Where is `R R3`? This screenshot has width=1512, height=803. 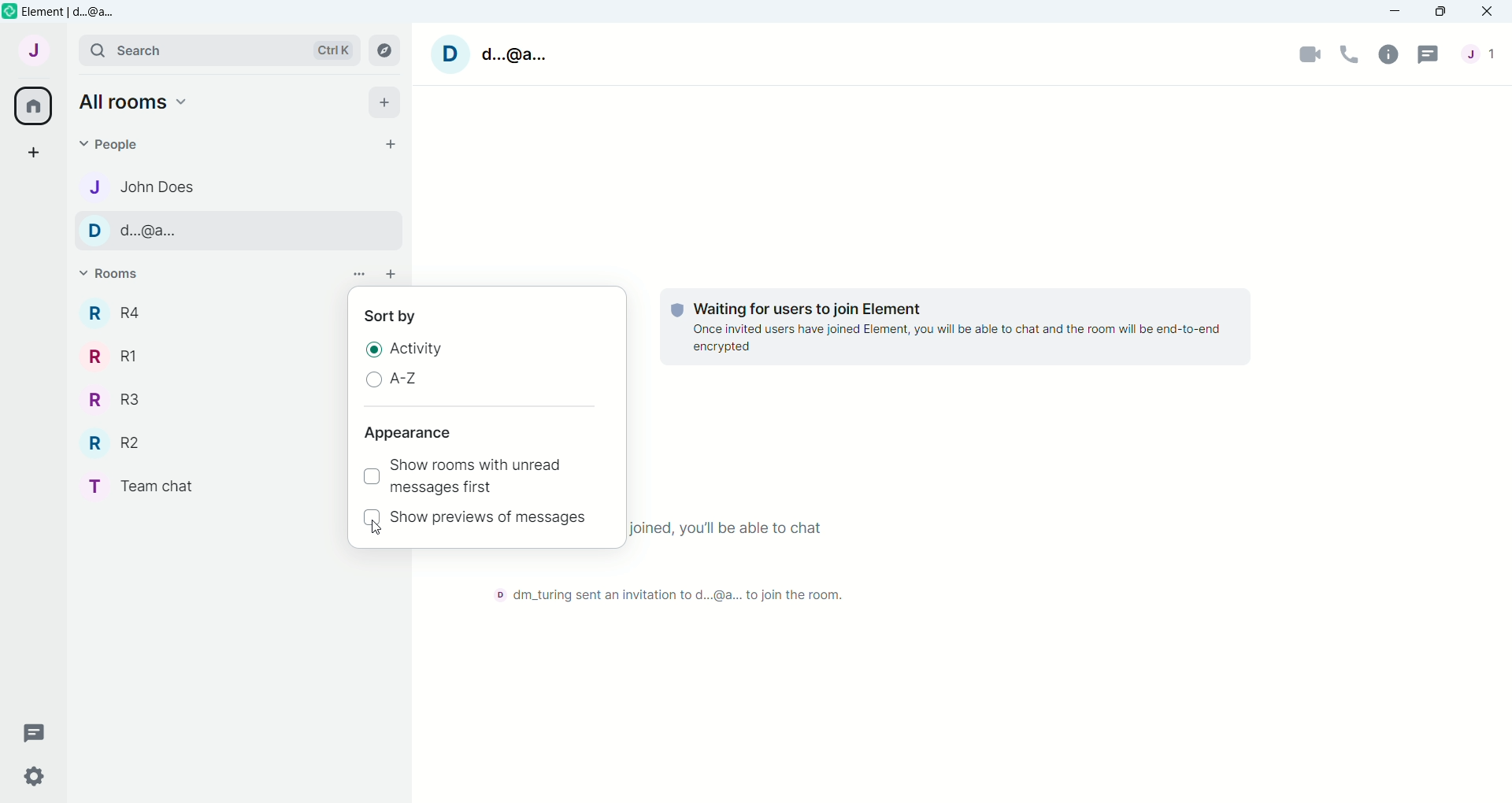 R R3 is located at coordinates (131, 398).